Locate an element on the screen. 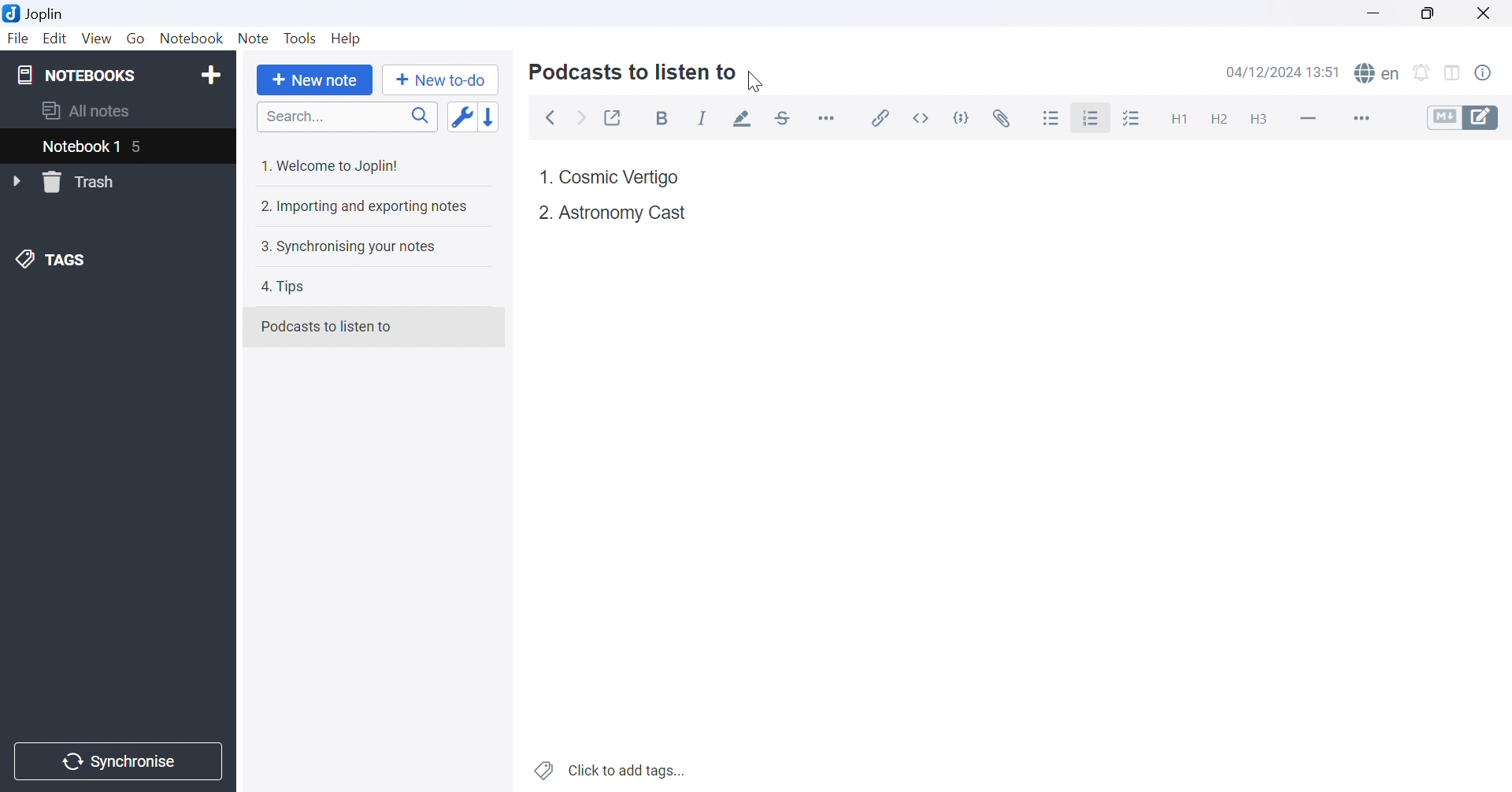  Reverse sort order is located at coordinates (491, 117).